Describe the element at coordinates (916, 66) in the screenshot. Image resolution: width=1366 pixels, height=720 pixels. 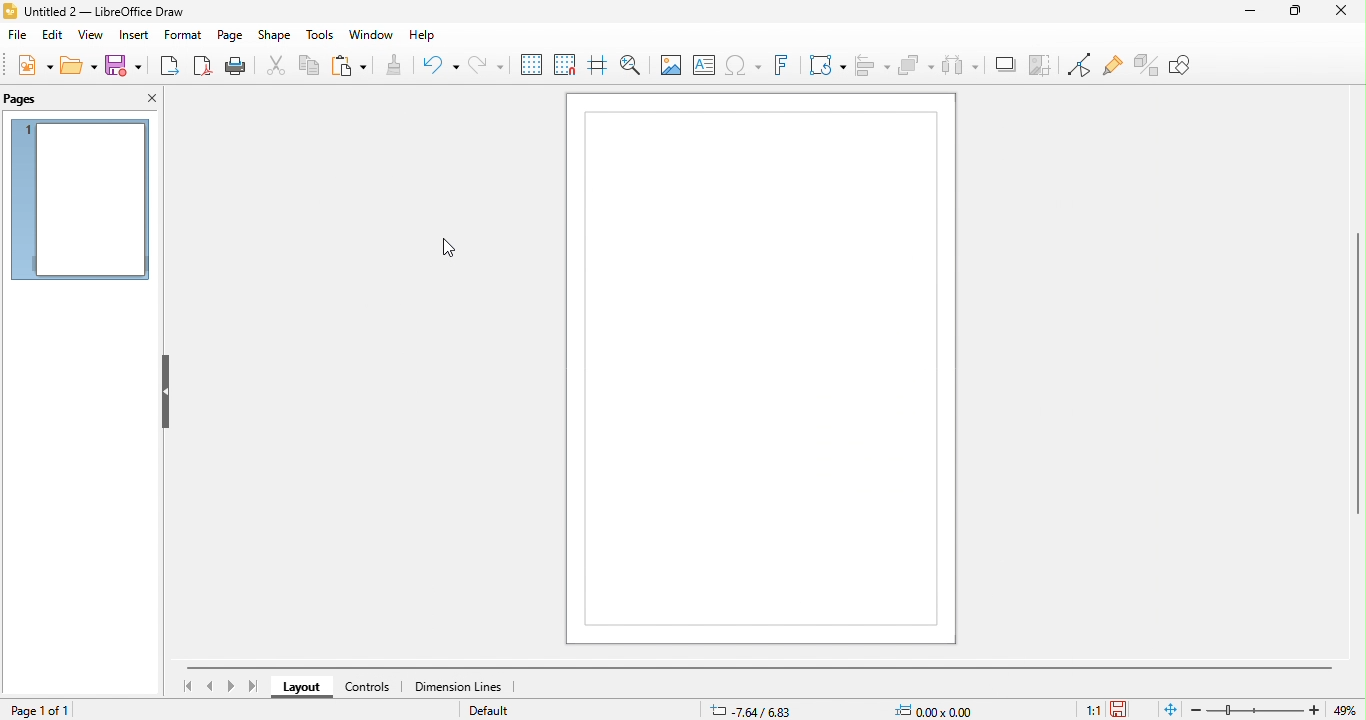
I see `arrange` at that location.